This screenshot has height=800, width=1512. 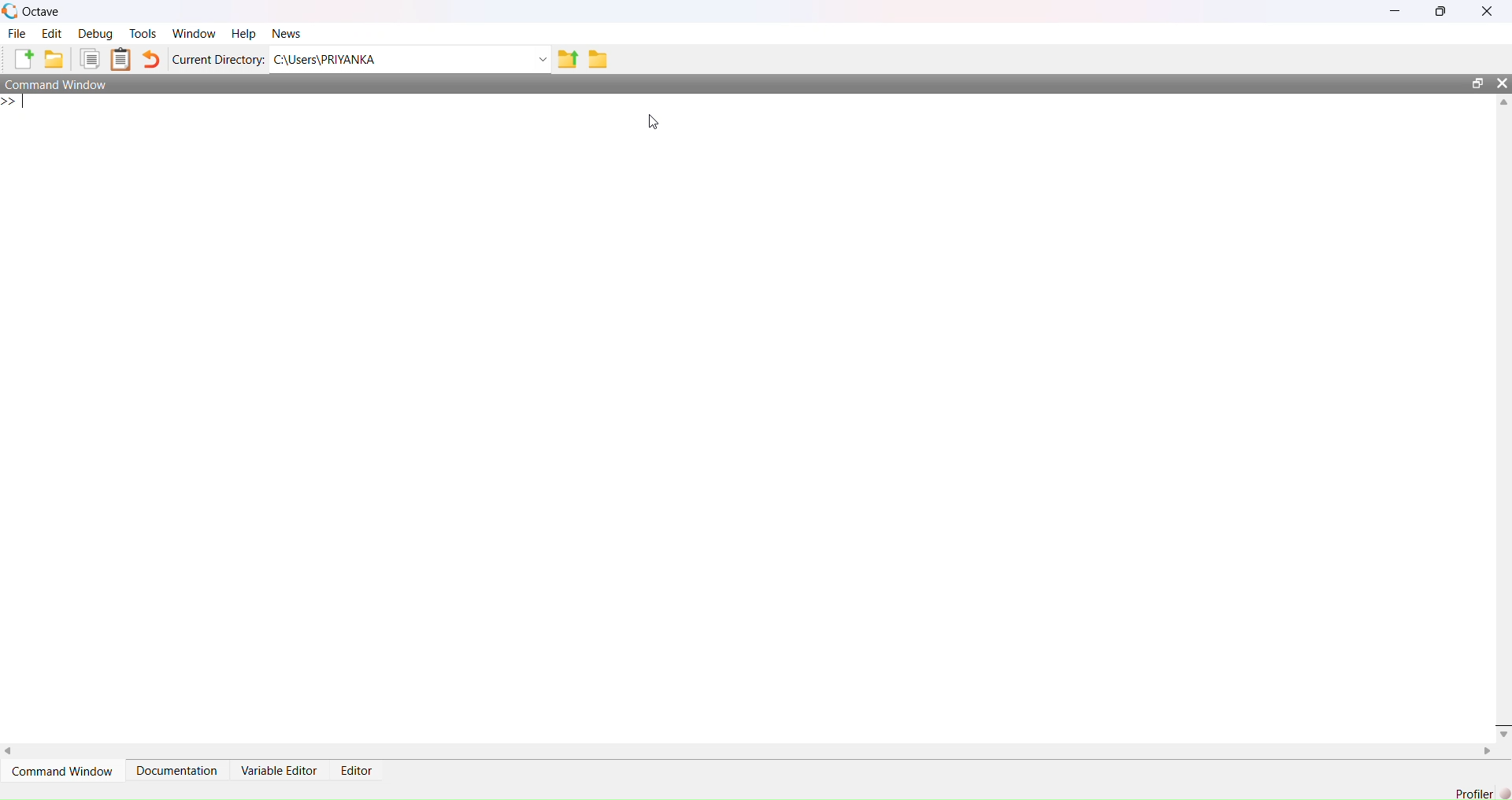 What do you see at coordinates (22, 60) in the screenshot?
I see `Create a file` at bounding box center [22, 60].